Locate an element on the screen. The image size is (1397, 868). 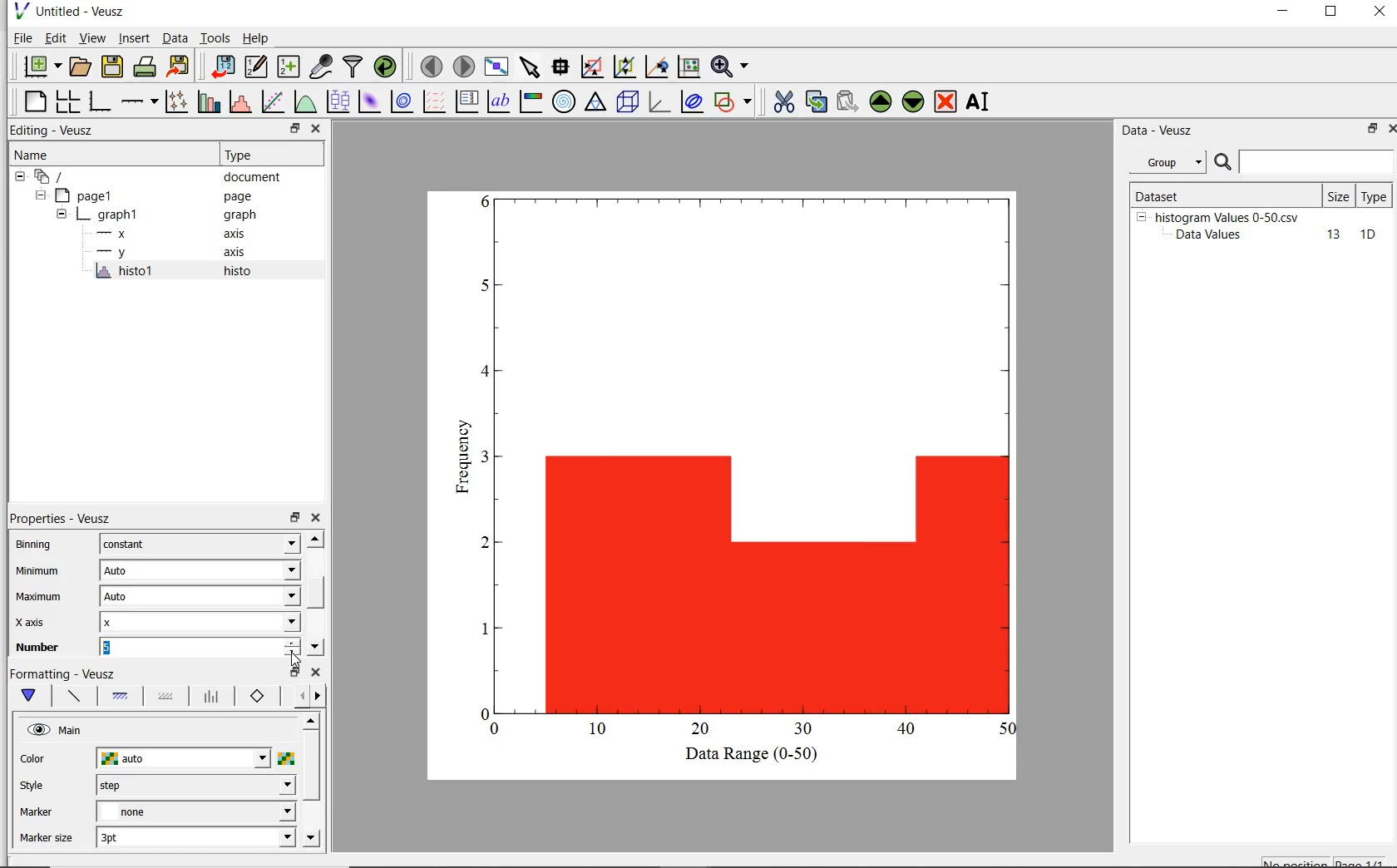
help is located at coordinates (259, 38).